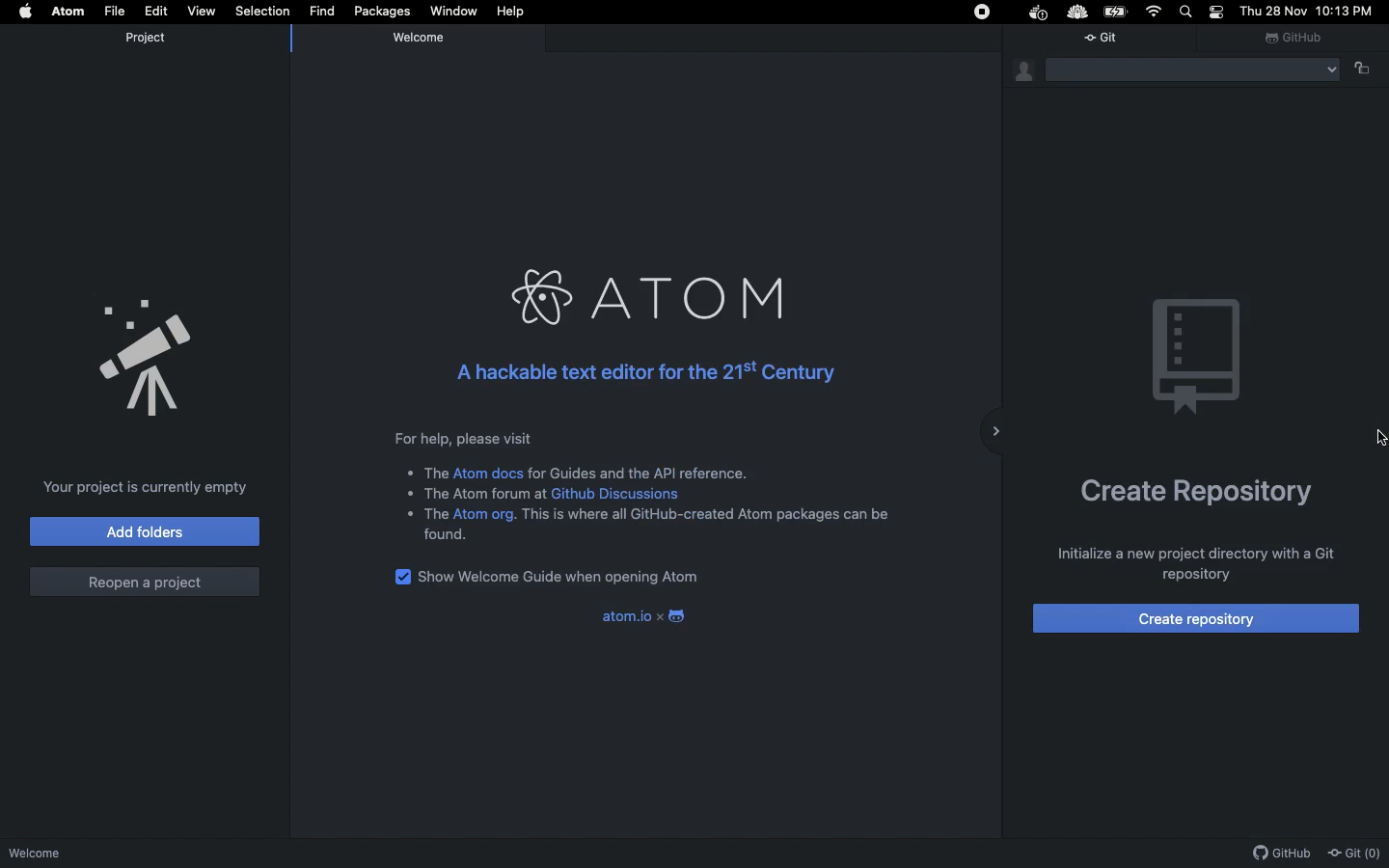 This screenshot has height=868, width=1389. Describe the element at coordinates (428, 42) in the screenshot. I see `Welcome` at that location.